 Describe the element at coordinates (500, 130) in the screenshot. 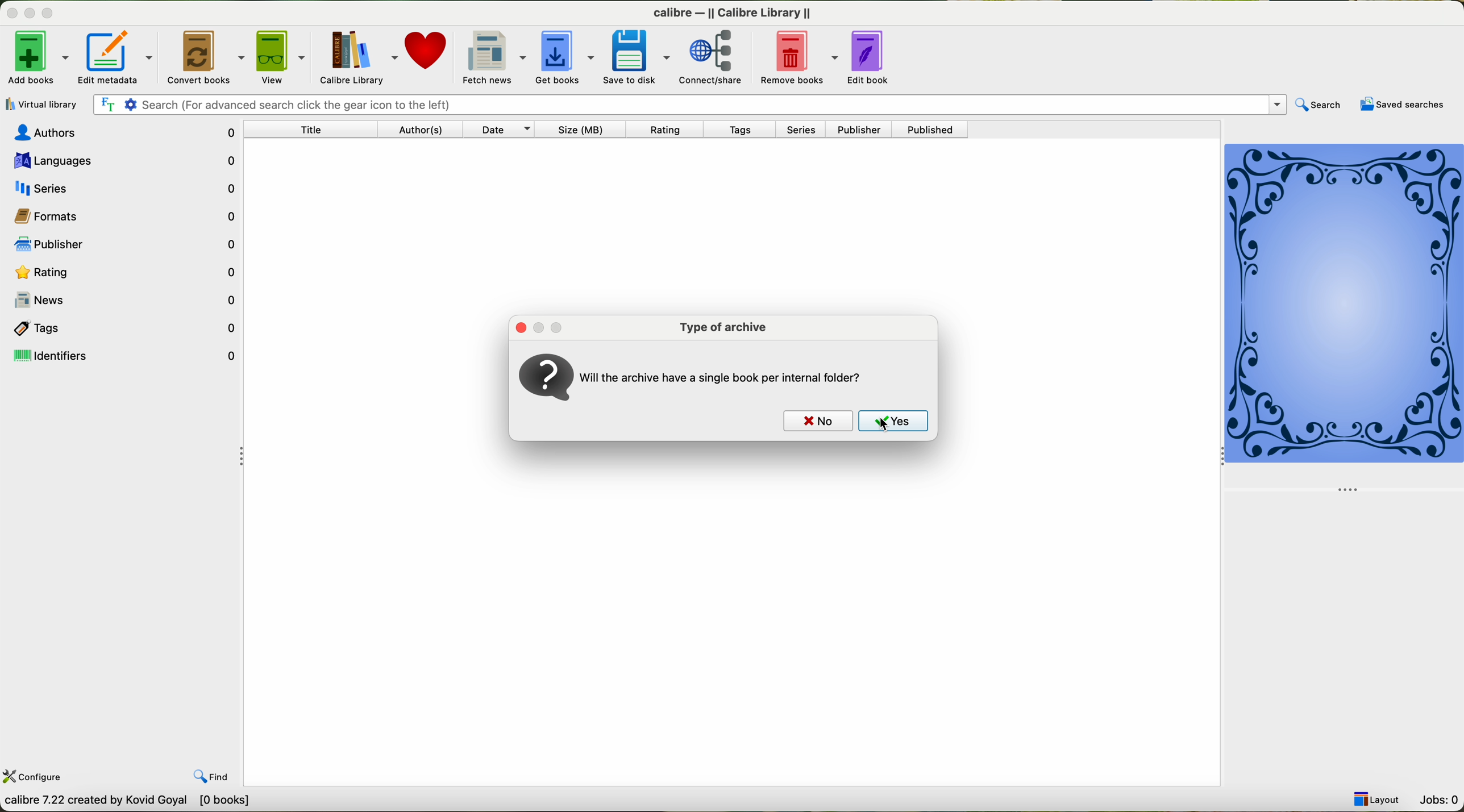

I see `date` at that location.